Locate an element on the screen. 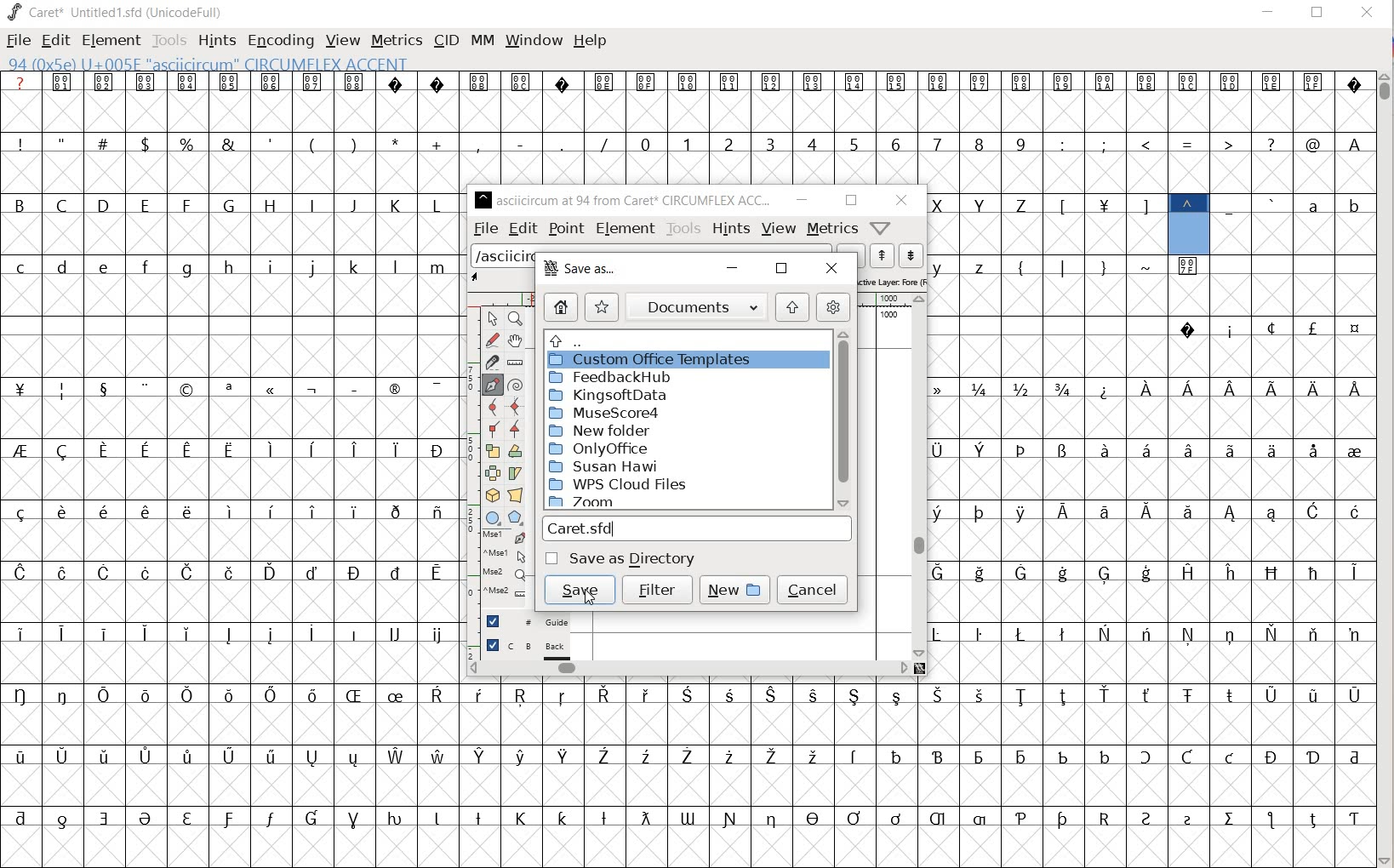 This screenshot has height=868, width=1394. Rotate the selection is located at coordinates (514, 452).